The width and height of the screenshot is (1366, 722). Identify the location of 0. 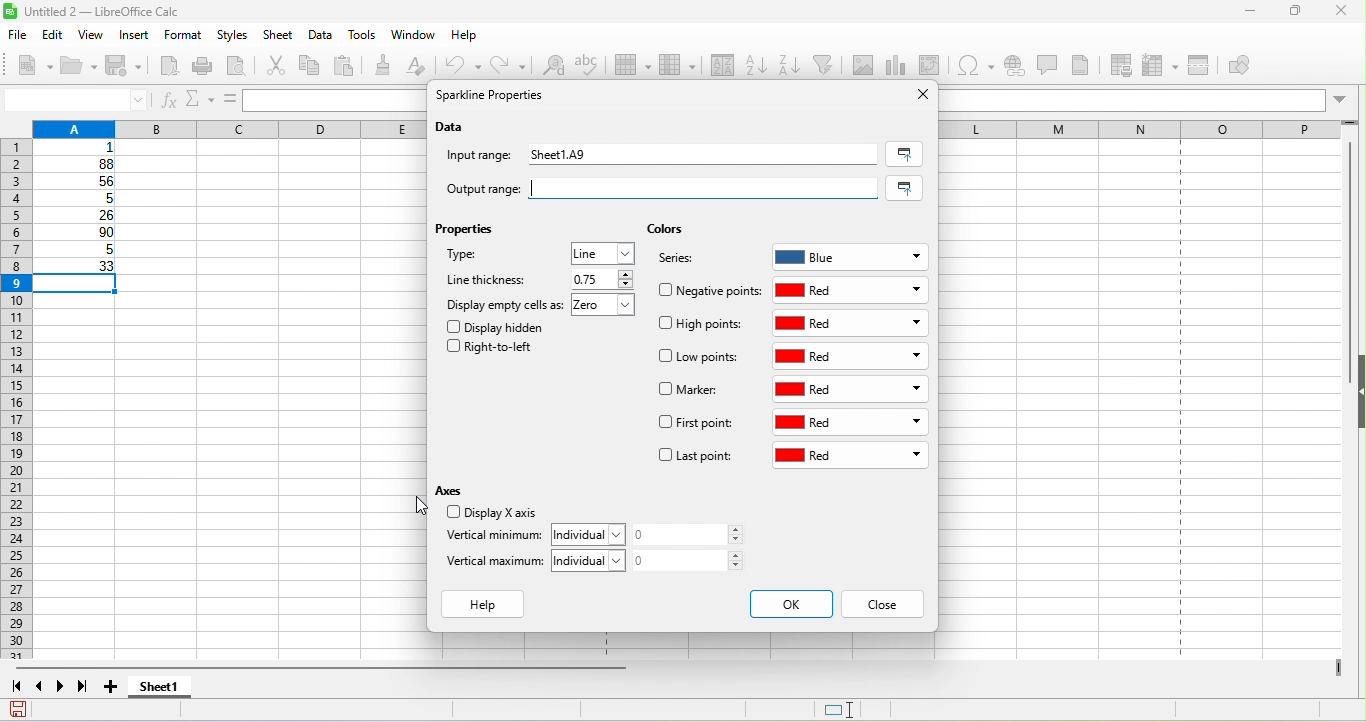
(694, 535).